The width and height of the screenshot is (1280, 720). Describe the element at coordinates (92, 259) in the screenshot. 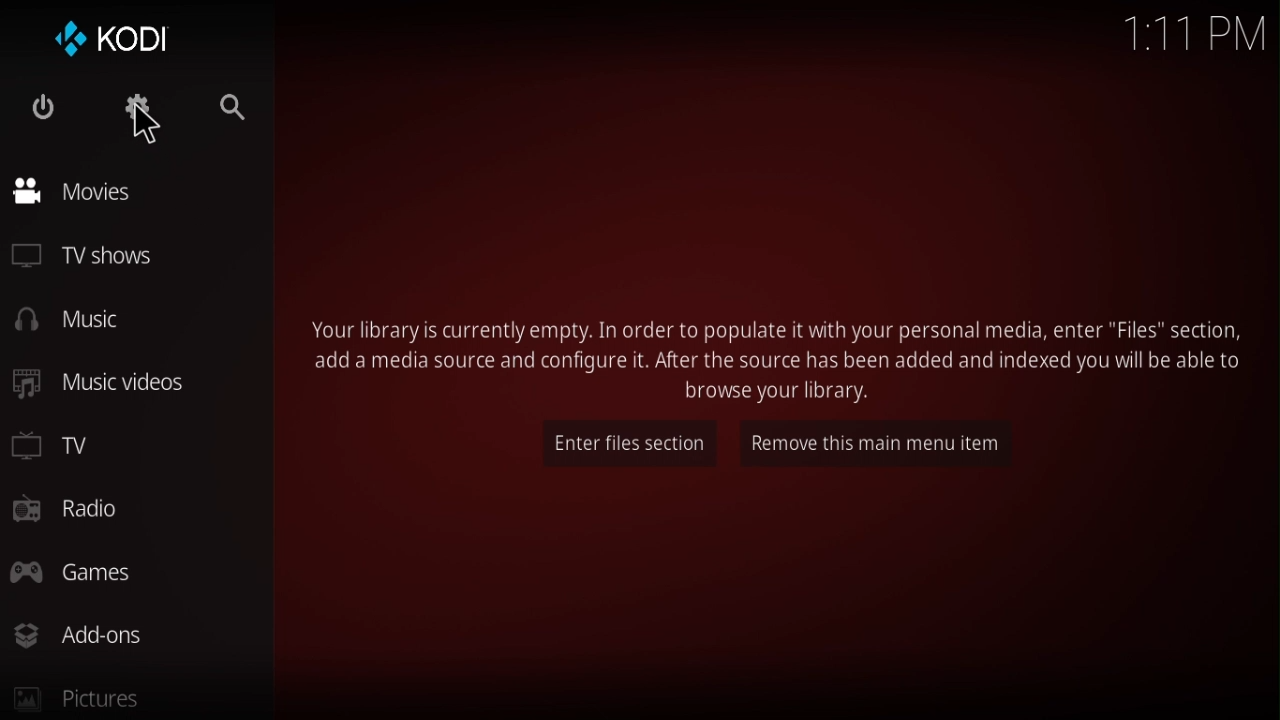

I see `Tv shows` at that location.